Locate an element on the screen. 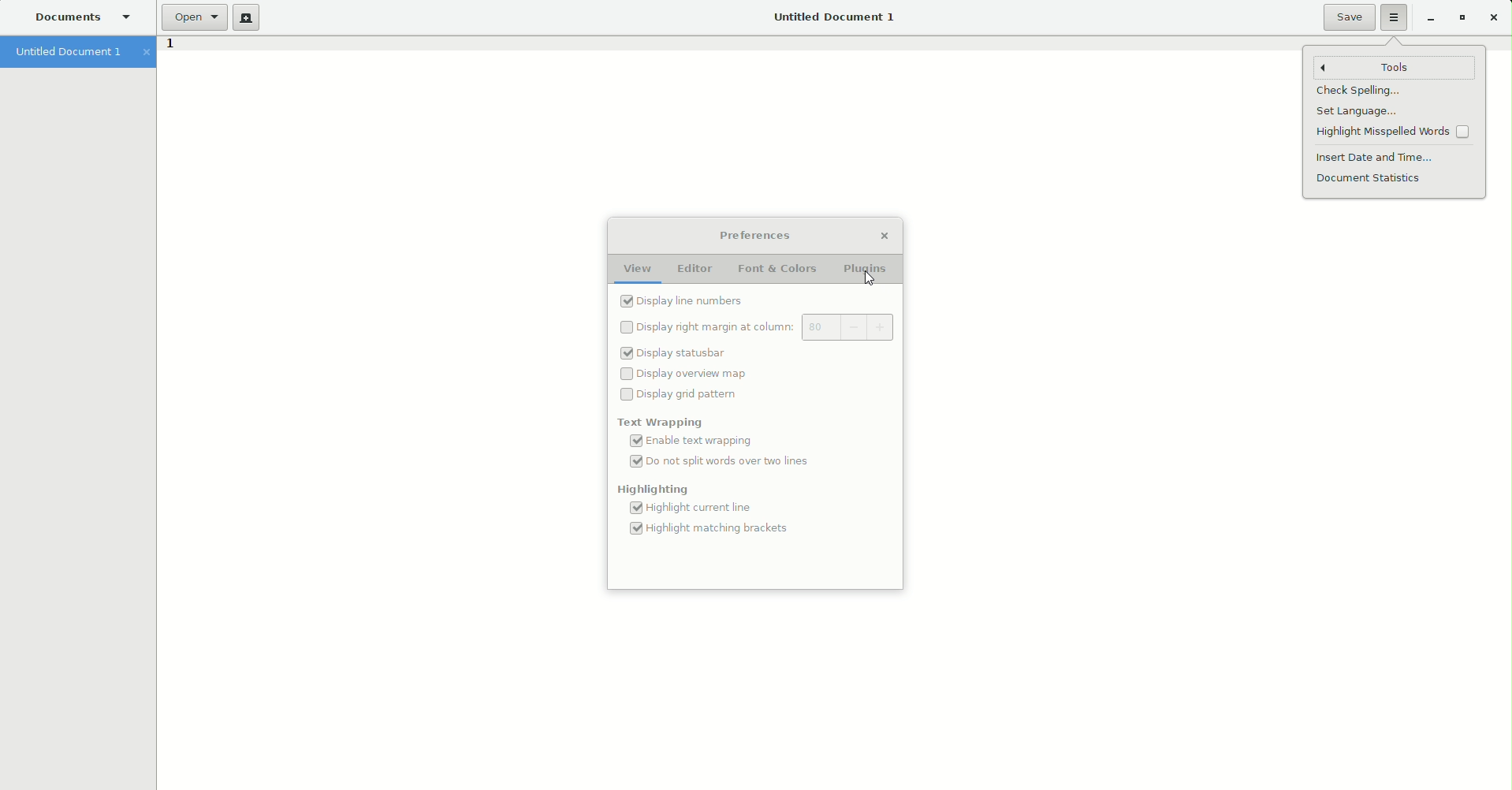 This screenshot has height=790, width=1512. Open is located at coordinates (193, 17).